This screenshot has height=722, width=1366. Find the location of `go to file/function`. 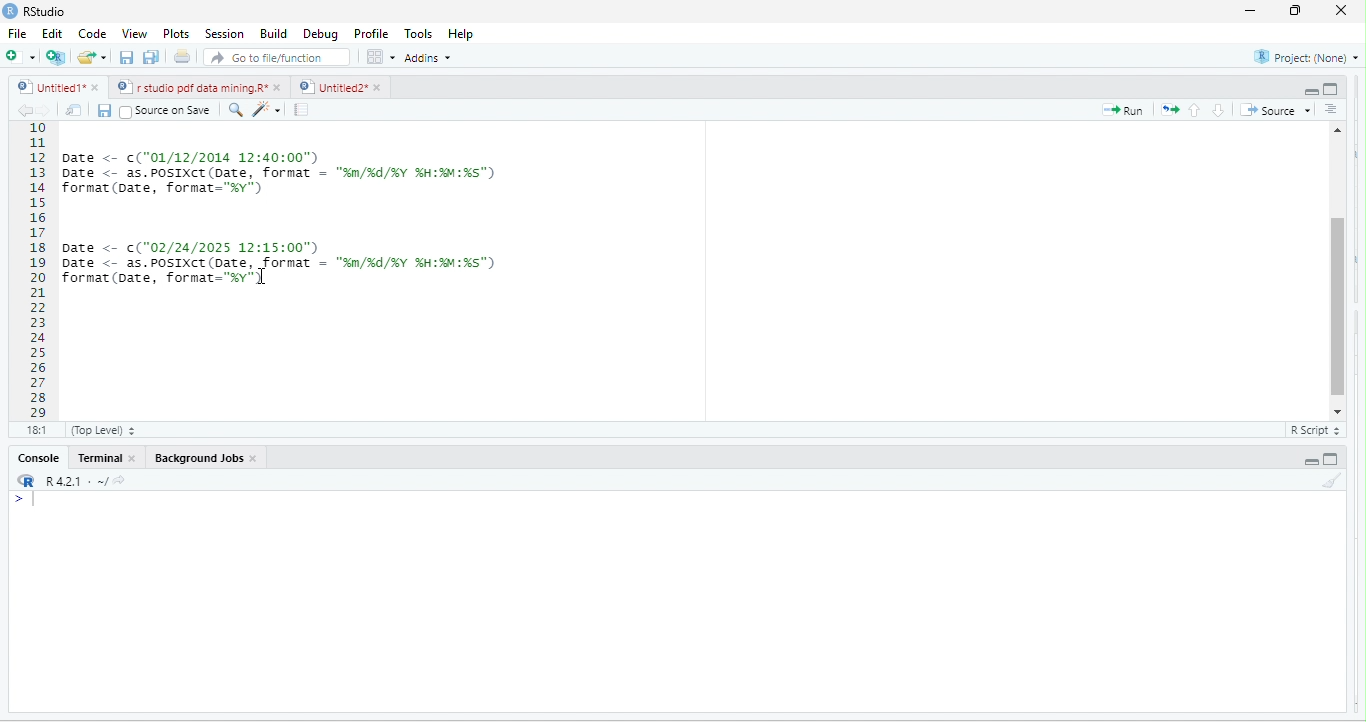

go to file/function is located at coordinates (272, 60).